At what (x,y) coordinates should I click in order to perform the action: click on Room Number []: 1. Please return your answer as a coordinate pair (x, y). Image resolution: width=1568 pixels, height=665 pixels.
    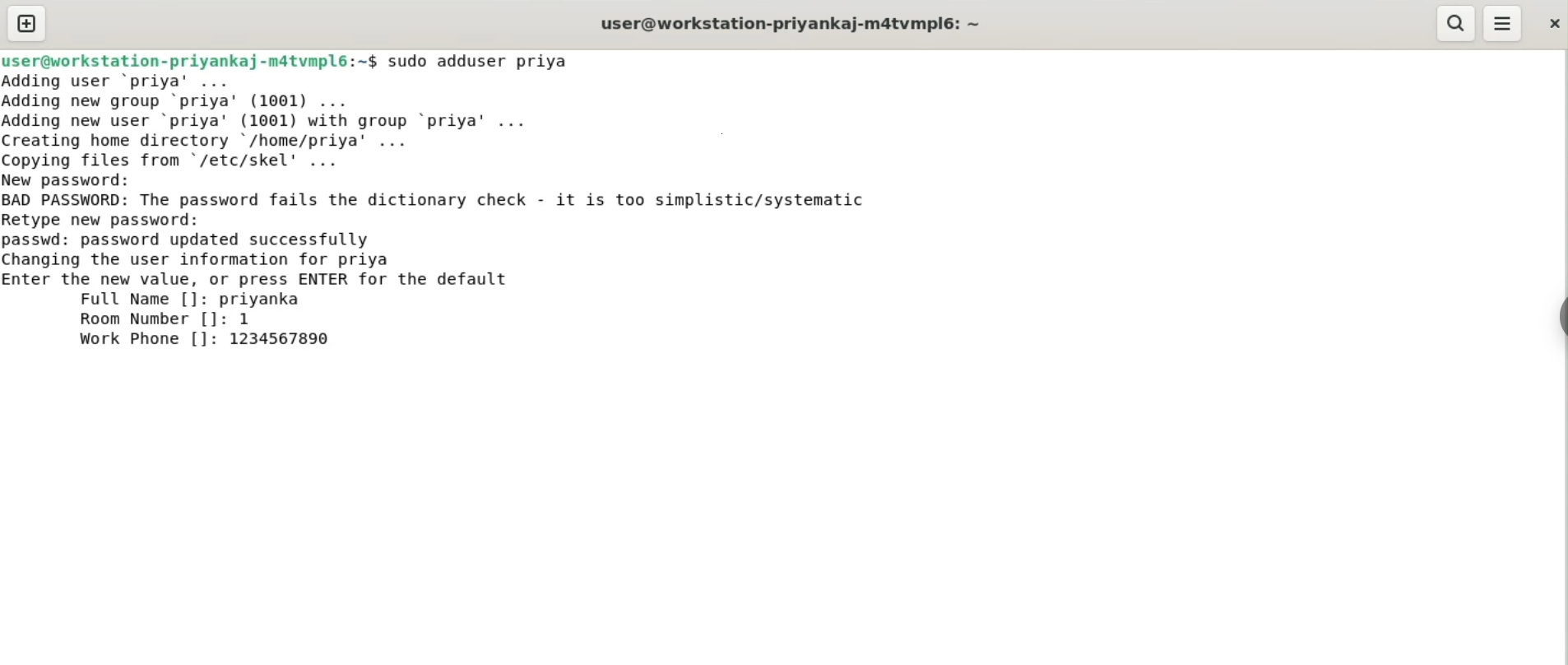
    Looking at the image, I should click on (165, 319).